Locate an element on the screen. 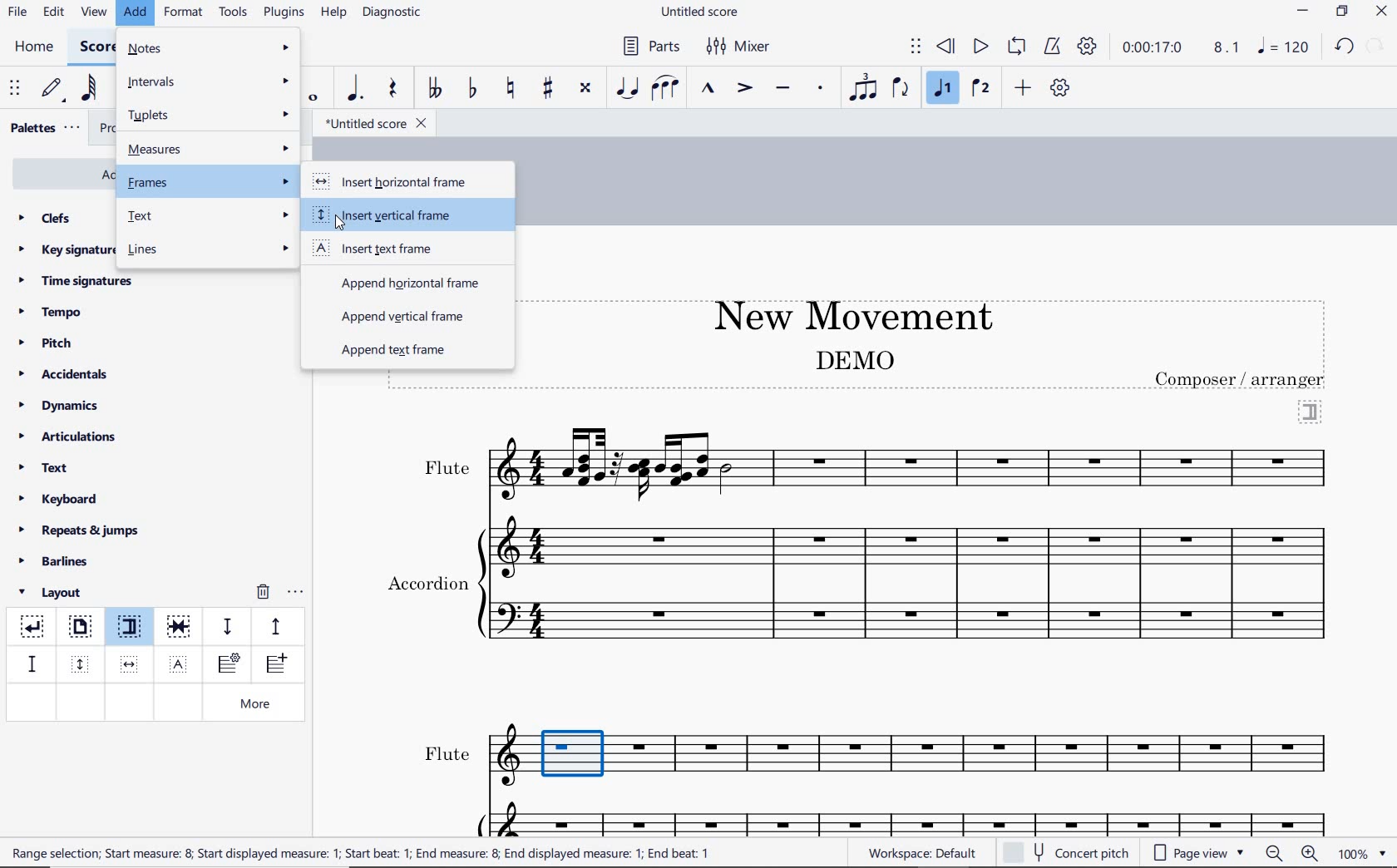 The width and height of the screenshot is (1397, 868). t is located at coordinates (209, 114).